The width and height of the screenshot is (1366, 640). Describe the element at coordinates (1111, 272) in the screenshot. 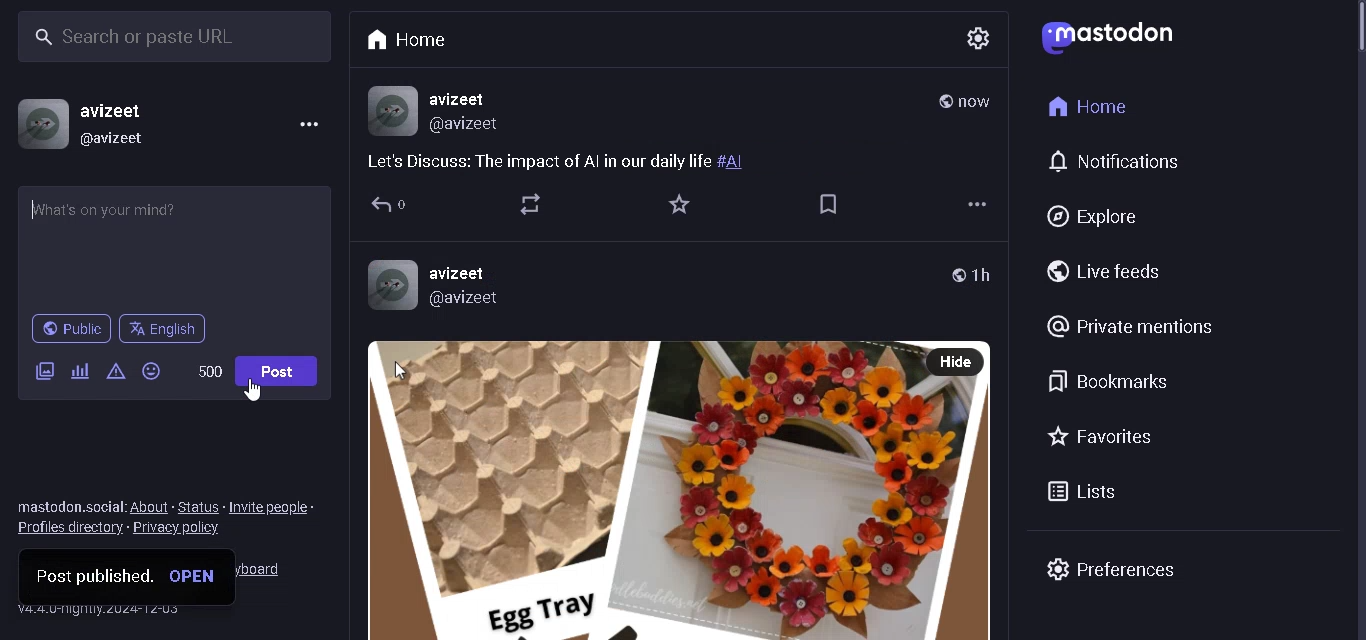

I see `LIVE FEEDS` at that location.